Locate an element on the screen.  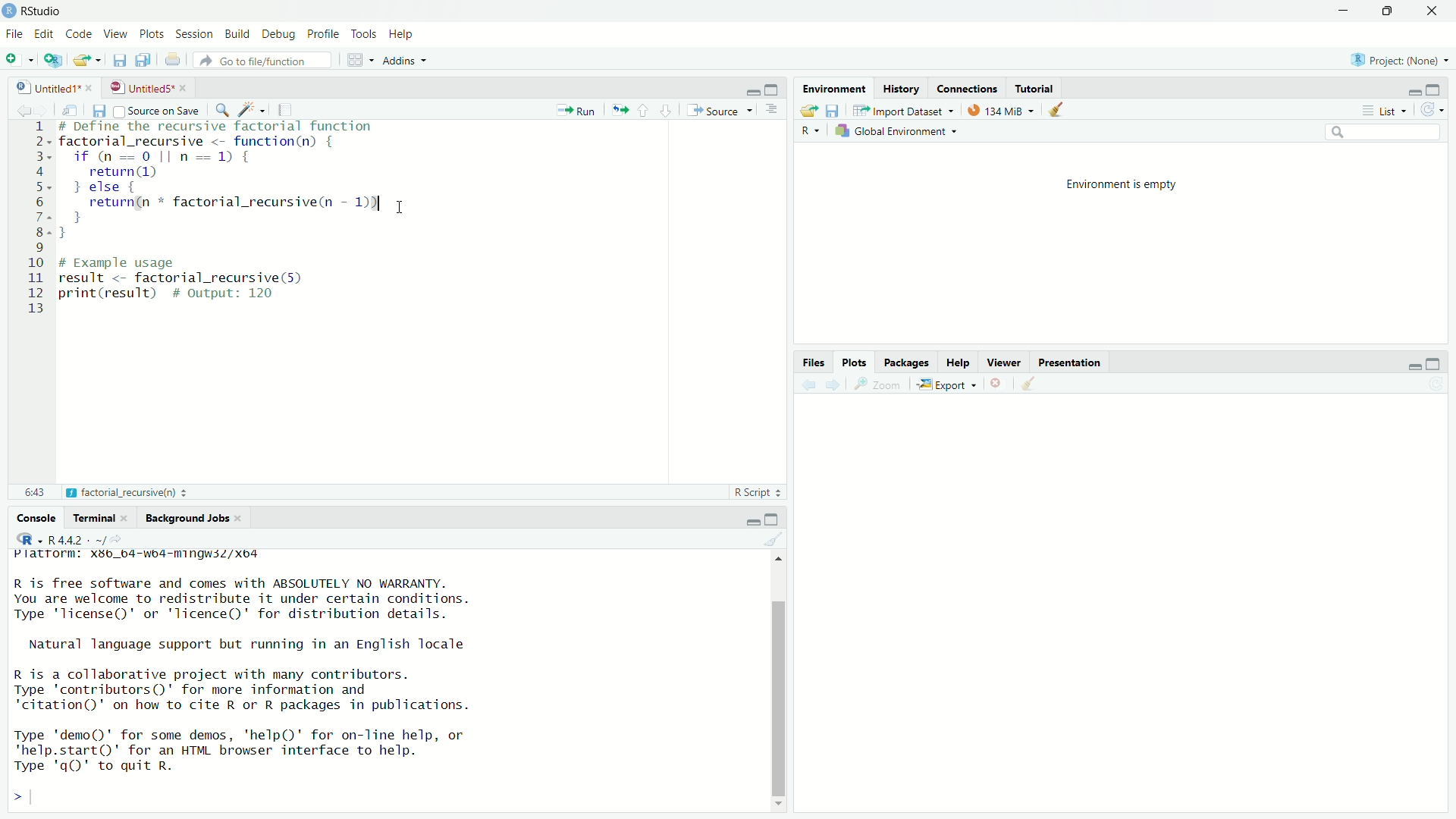
File is located at coordinates (12, 36).